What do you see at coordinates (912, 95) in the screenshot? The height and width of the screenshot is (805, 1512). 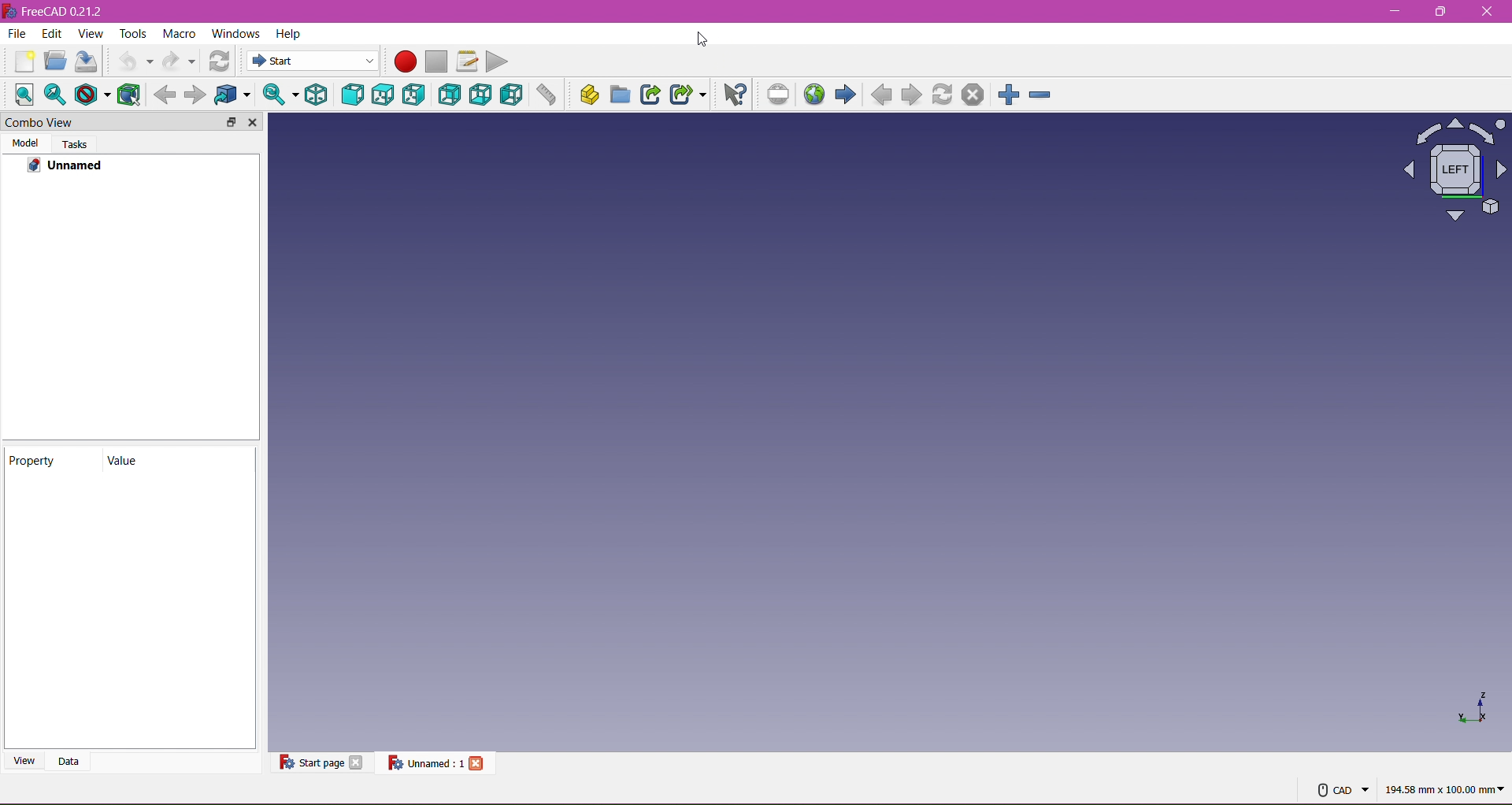 I see `Forward Navigation` at bounding box center [912, 95].